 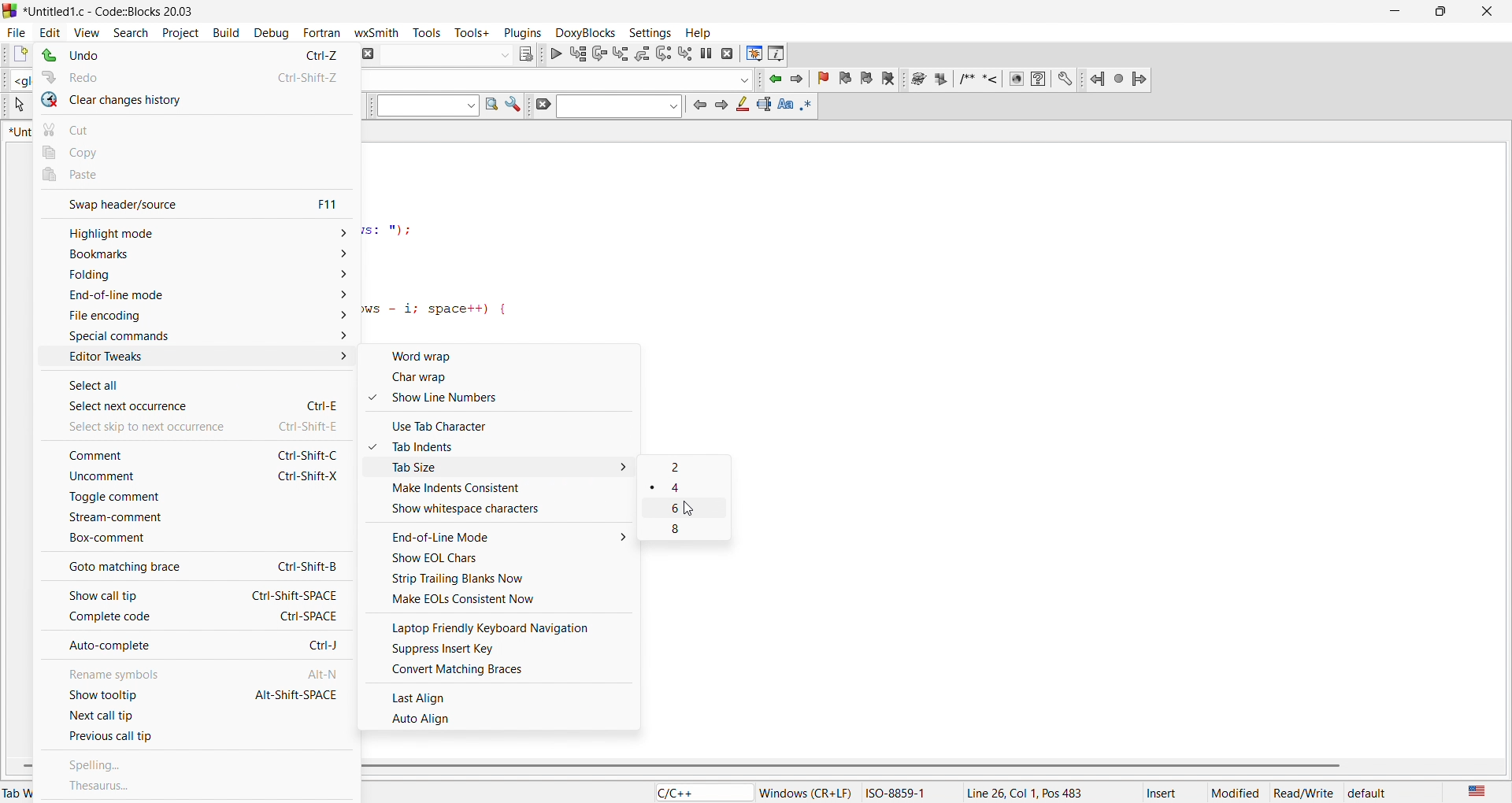 I want to click on jump icon, so click(x=1114, y=79).